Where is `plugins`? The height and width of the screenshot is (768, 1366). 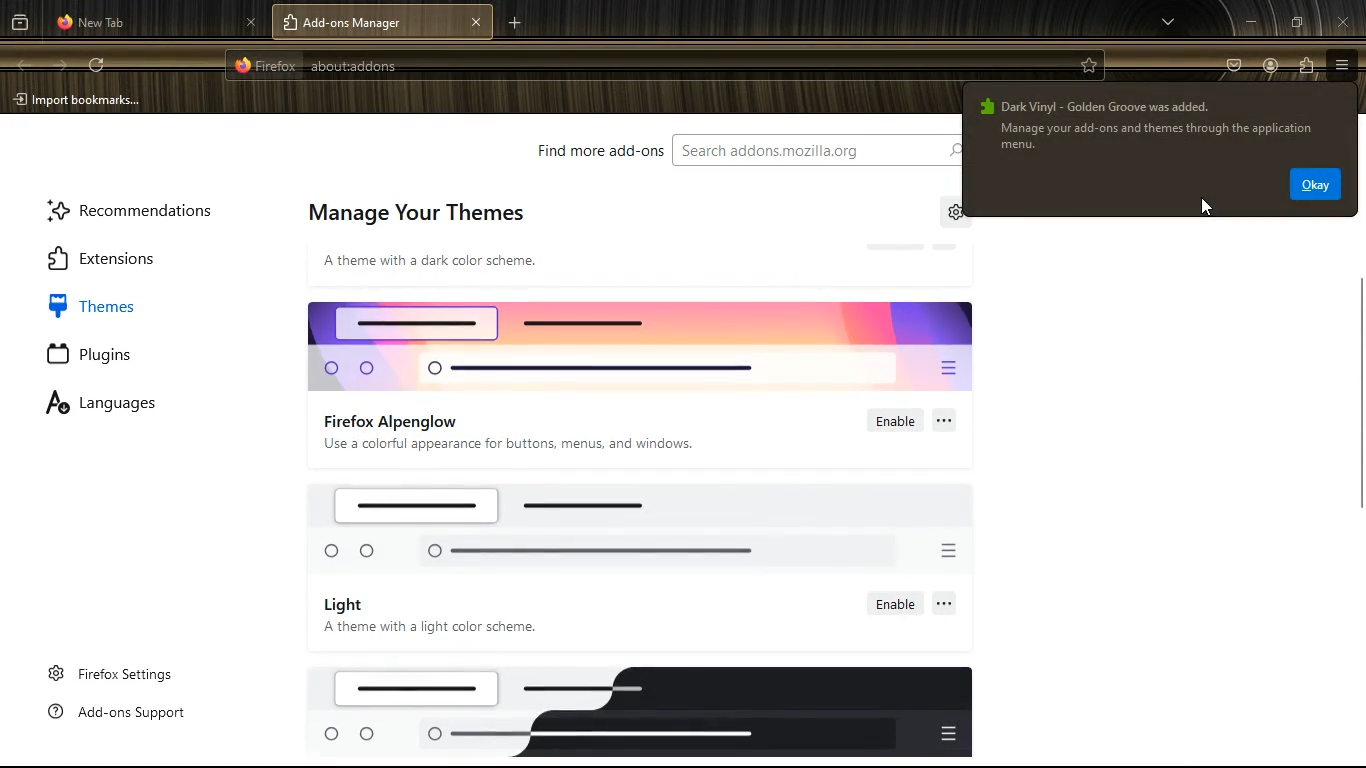 plugins is located at coordinates (109, 355).